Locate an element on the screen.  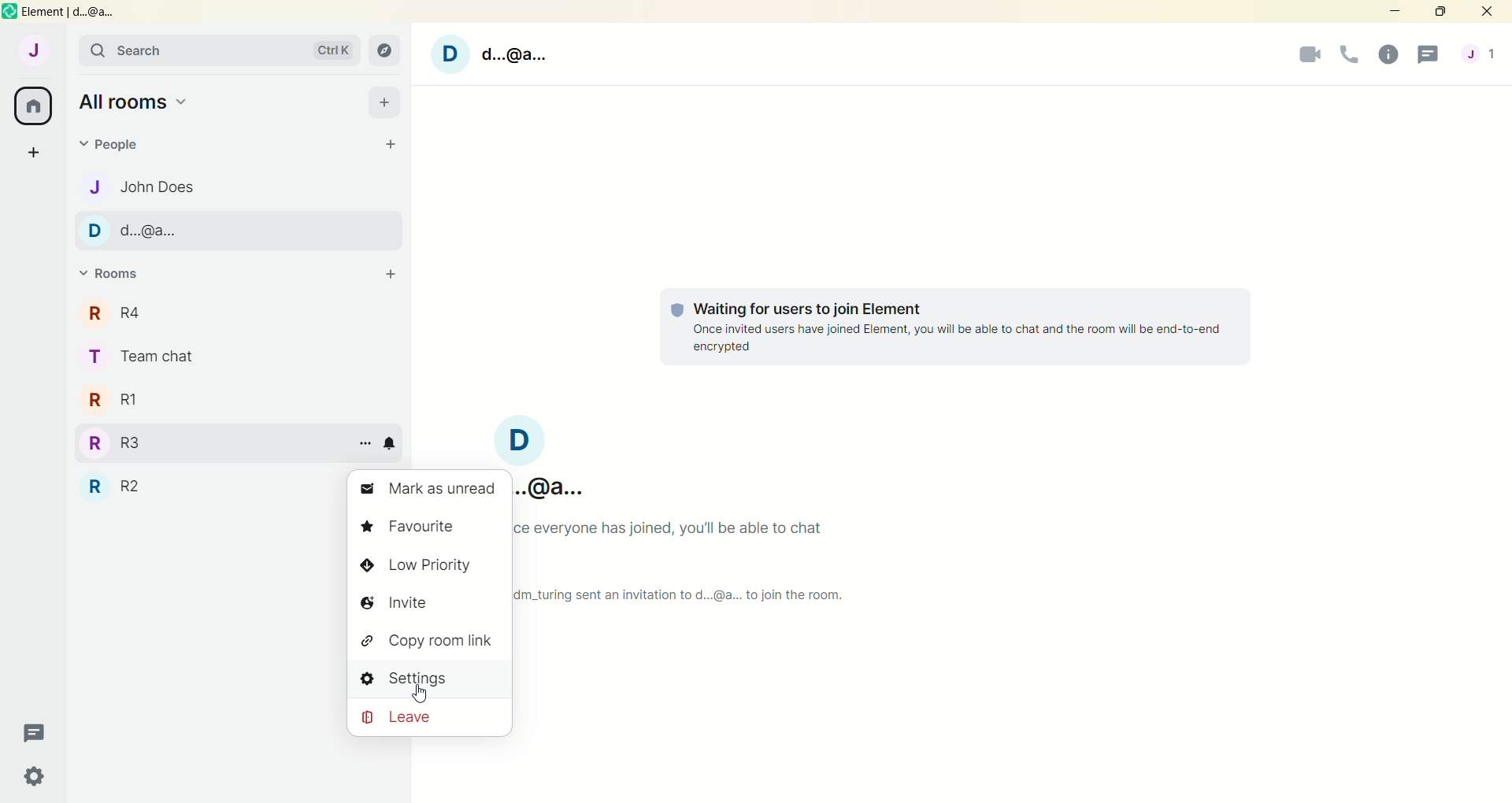
mark as unread is located at coordinates (428, 491).